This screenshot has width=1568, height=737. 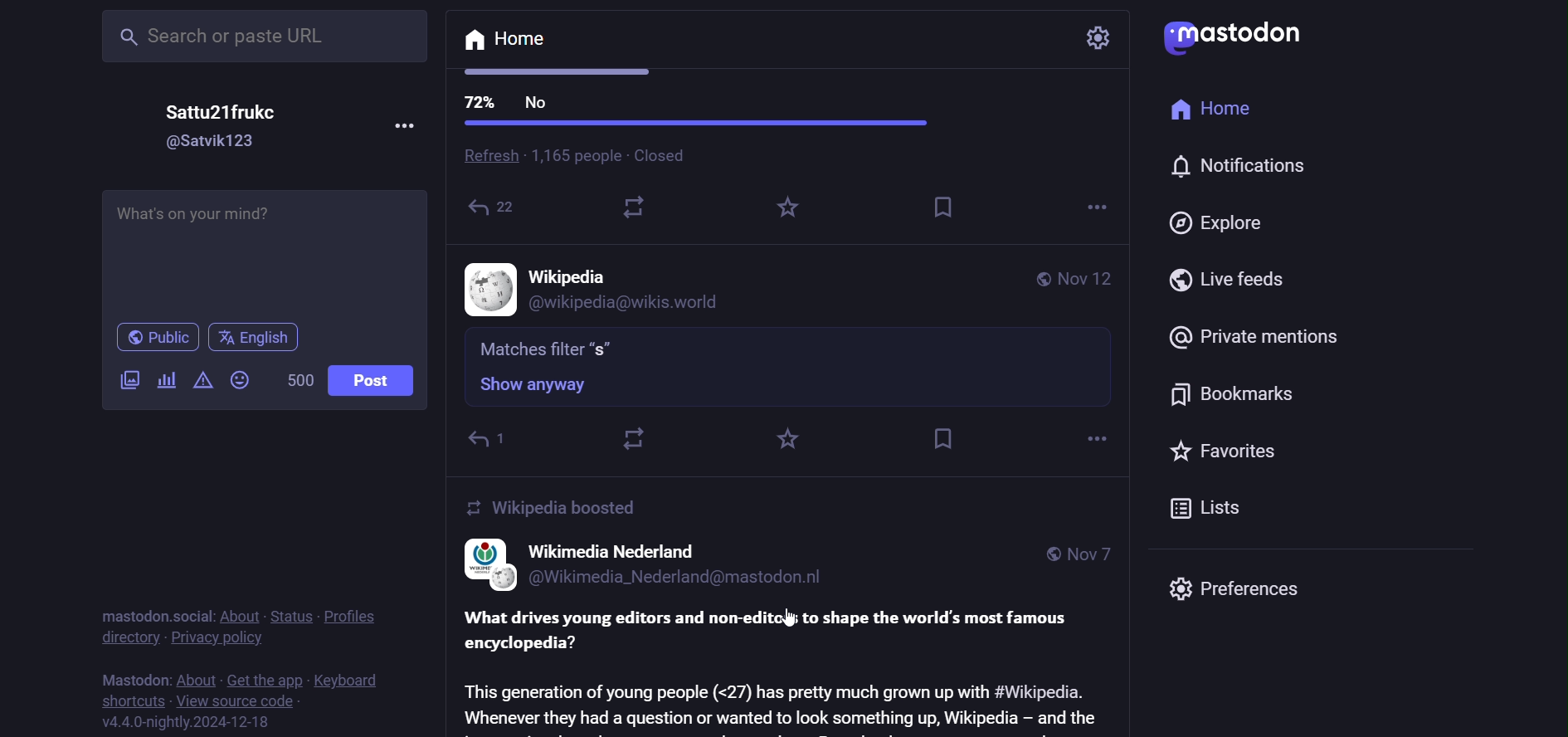 I want to click on content warning, so click(x=200, y=381).